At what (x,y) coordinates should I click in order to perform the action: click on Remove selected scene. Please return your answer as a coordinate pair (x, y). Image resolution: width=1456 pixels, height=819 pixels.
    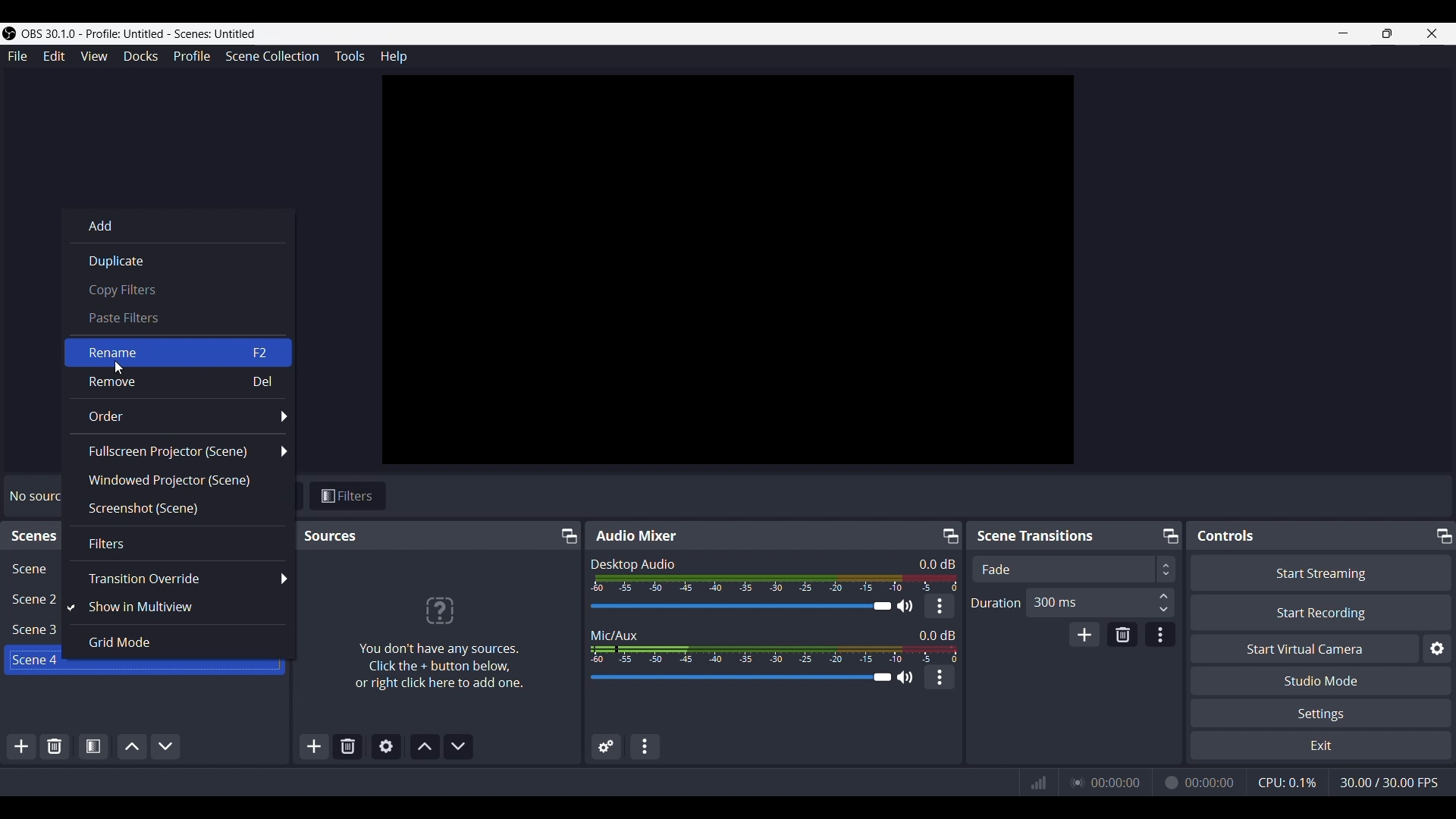
    Looking at the image, I should click on (55, 746).